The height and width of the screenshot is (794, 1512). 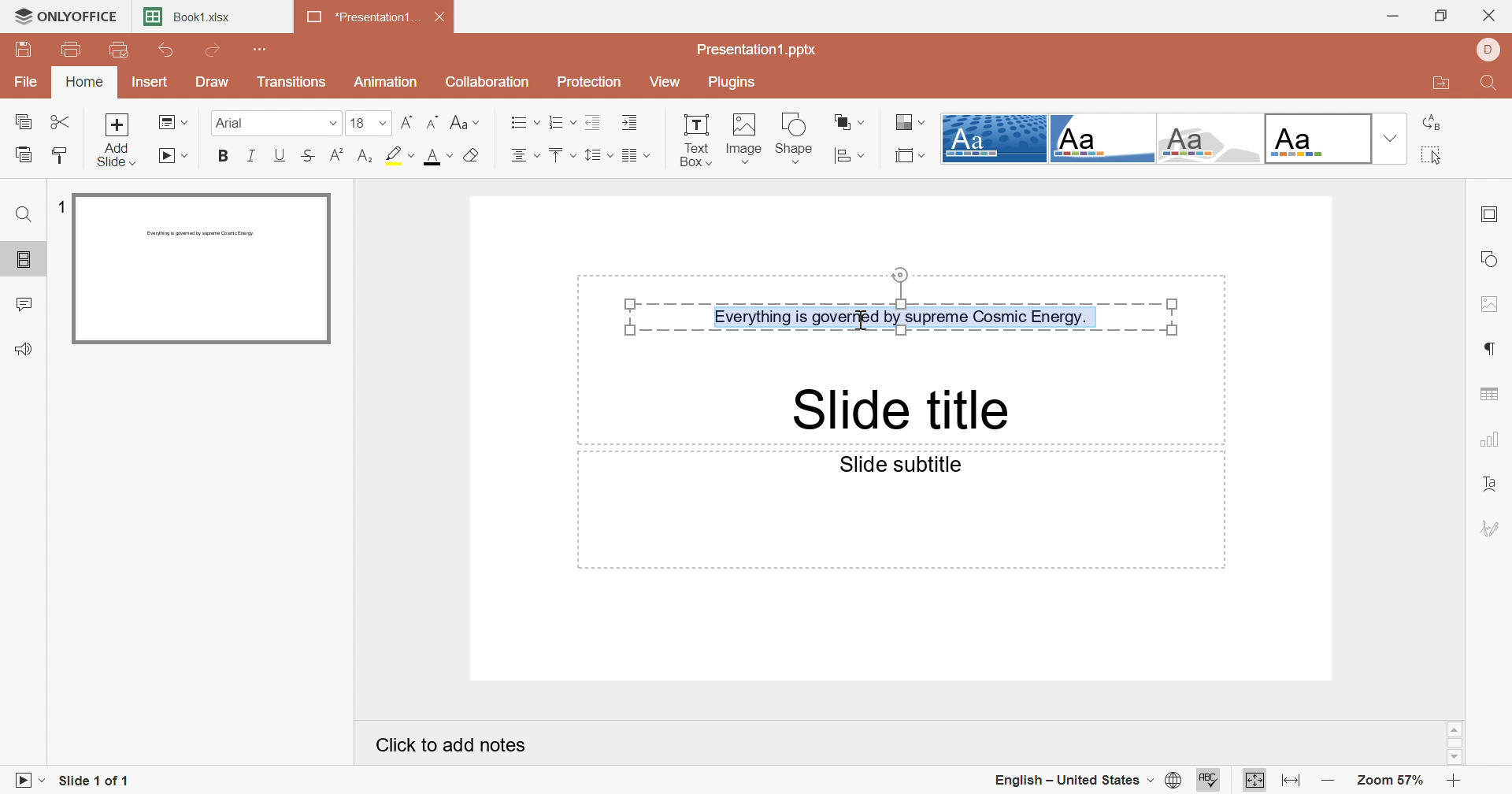 What do you see at coordinates (1456, 744) in the screenshot?
I see `Scroll Bar` at bounding box center [1456, 744].